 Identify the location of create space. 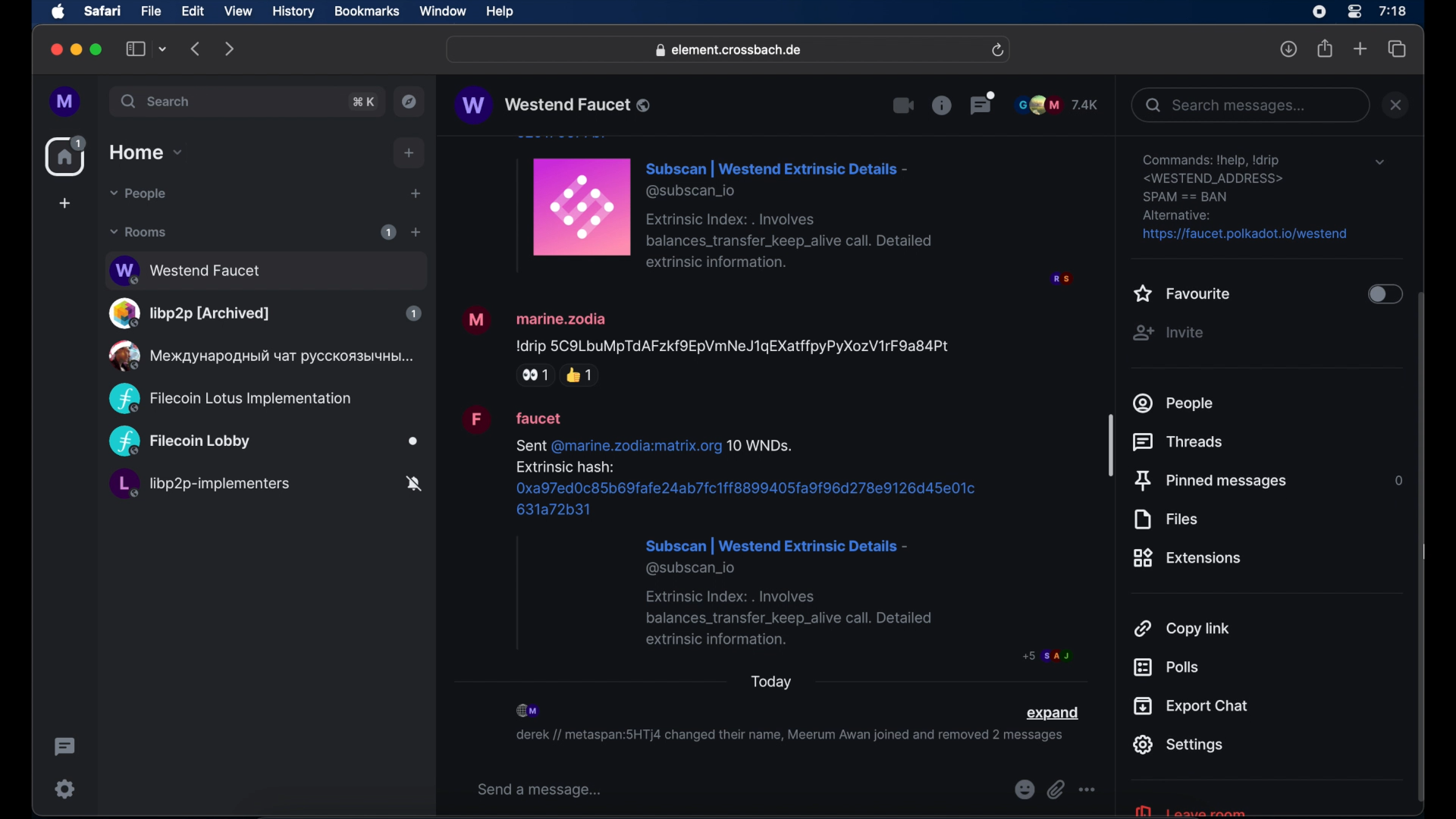
(64, 203).